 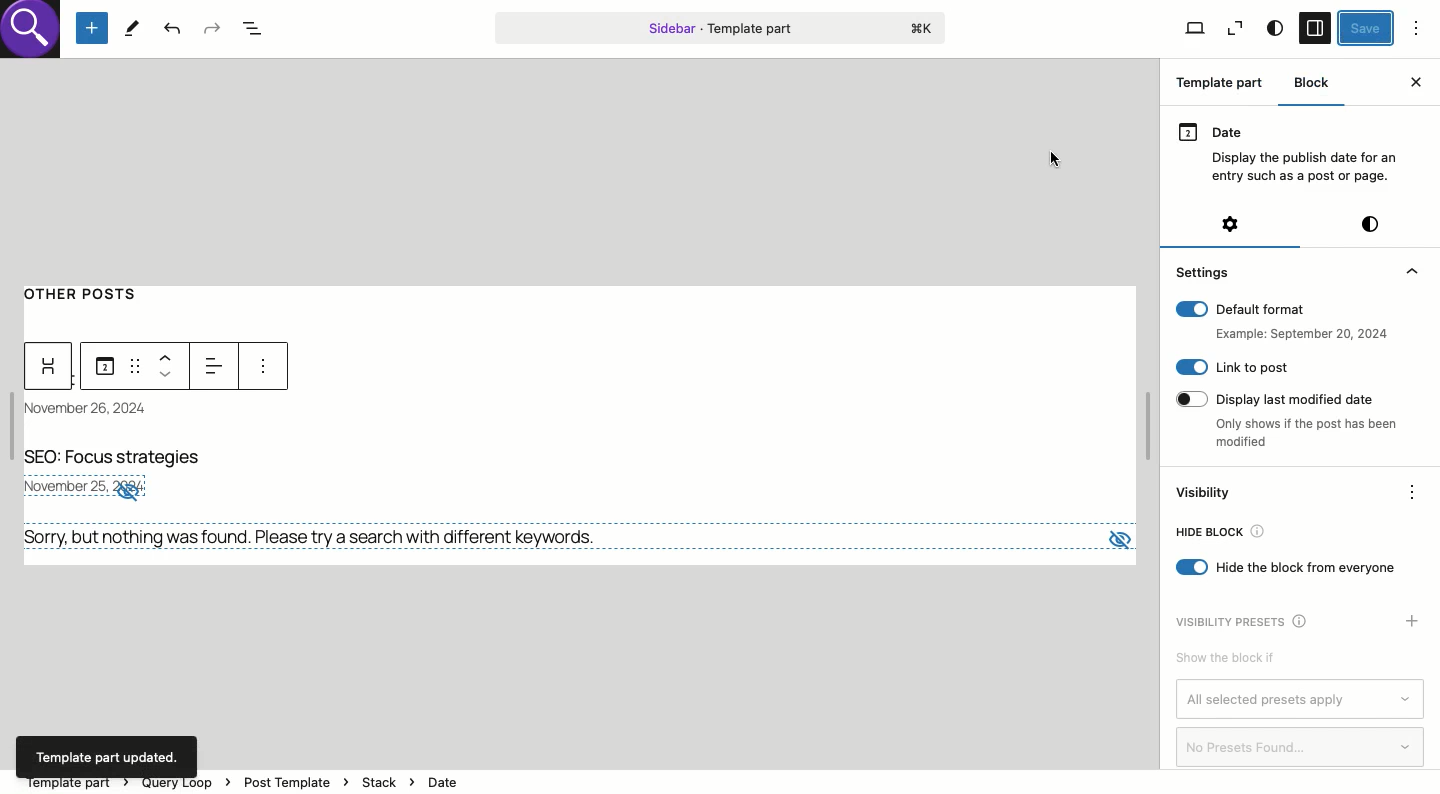 What do you see at coordinates (1194, 29) in the screenshot?
I see `View` at bounding box center [1194, 29].